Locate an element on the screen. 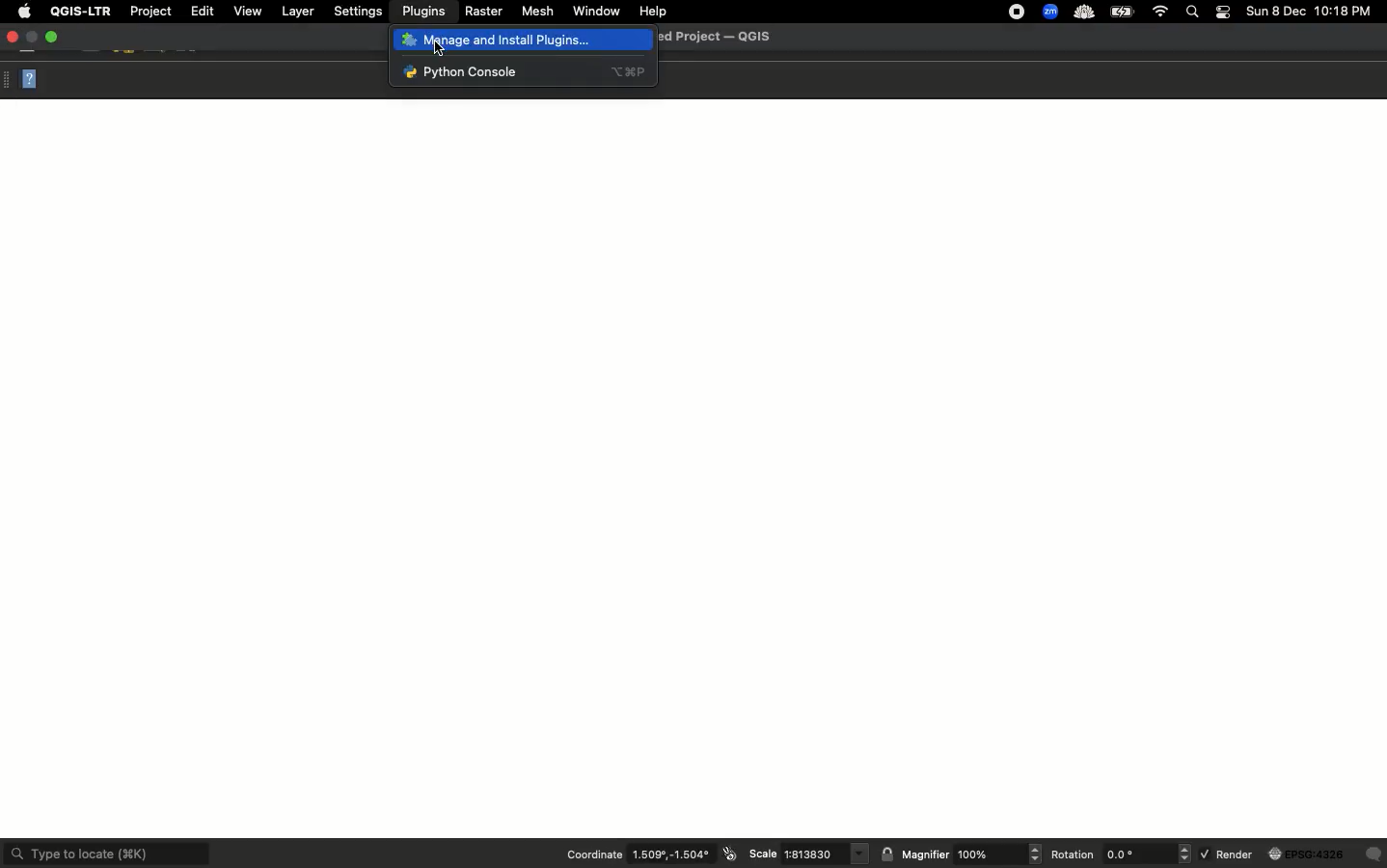 The height and width of the screenshot is (868, 1387). Help is located at coordinates (655, 10).